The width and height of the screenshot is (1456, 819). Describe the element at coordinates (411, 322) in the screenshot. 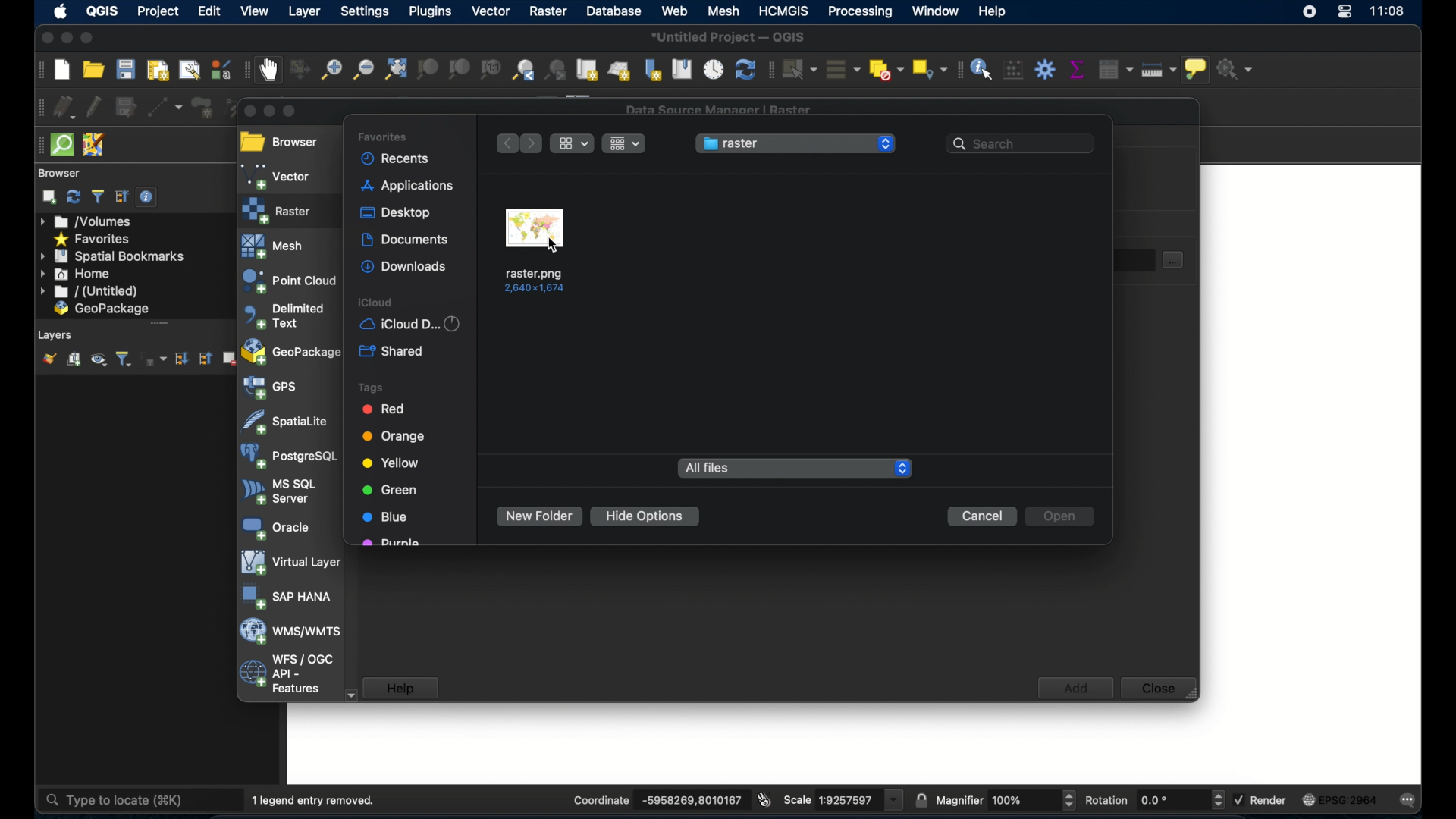

I see `iCloud d...` at that location.